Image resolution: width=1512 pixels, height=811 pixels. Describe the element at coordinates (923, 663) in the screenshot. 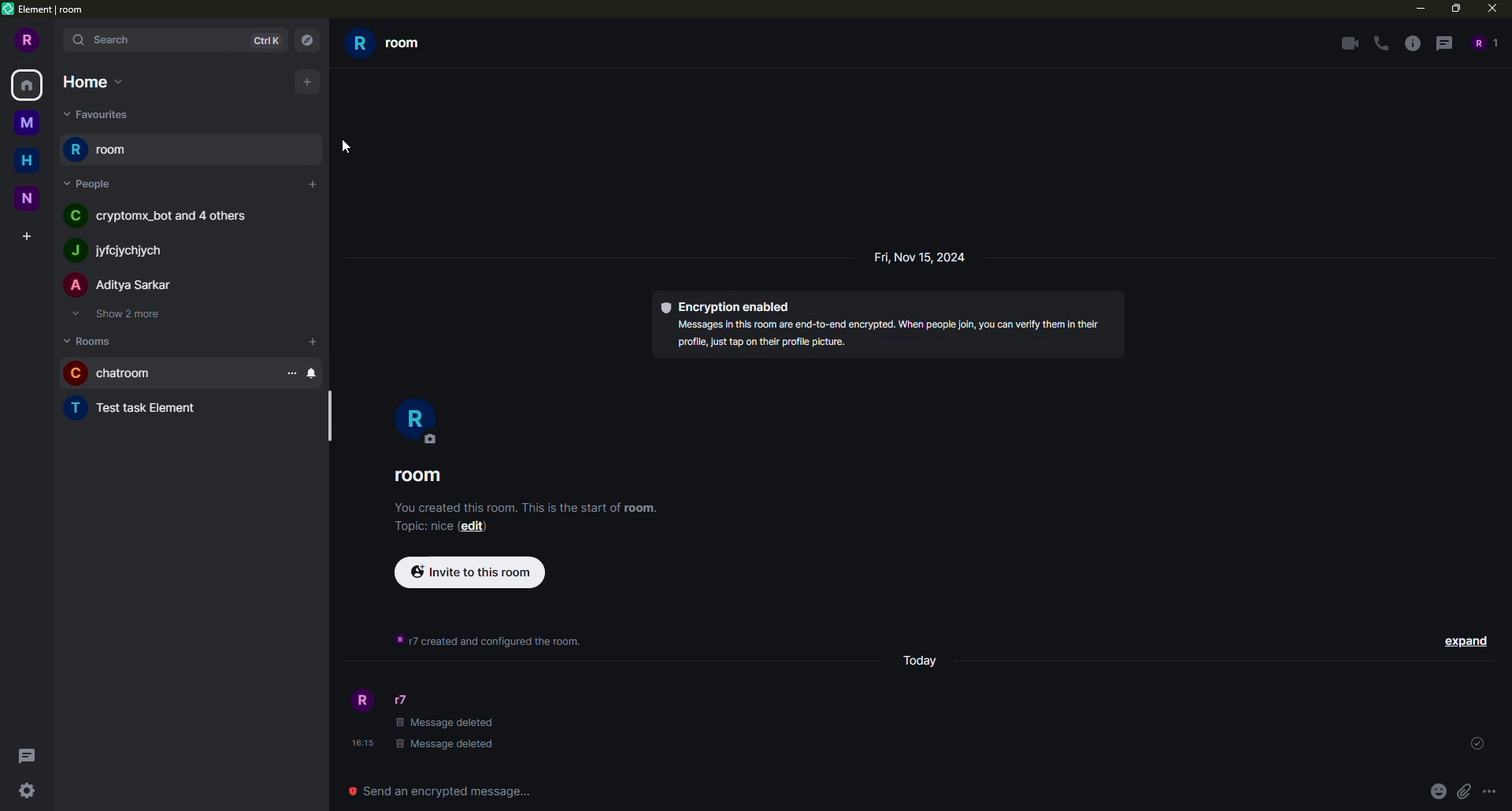

I see `day` at that location.